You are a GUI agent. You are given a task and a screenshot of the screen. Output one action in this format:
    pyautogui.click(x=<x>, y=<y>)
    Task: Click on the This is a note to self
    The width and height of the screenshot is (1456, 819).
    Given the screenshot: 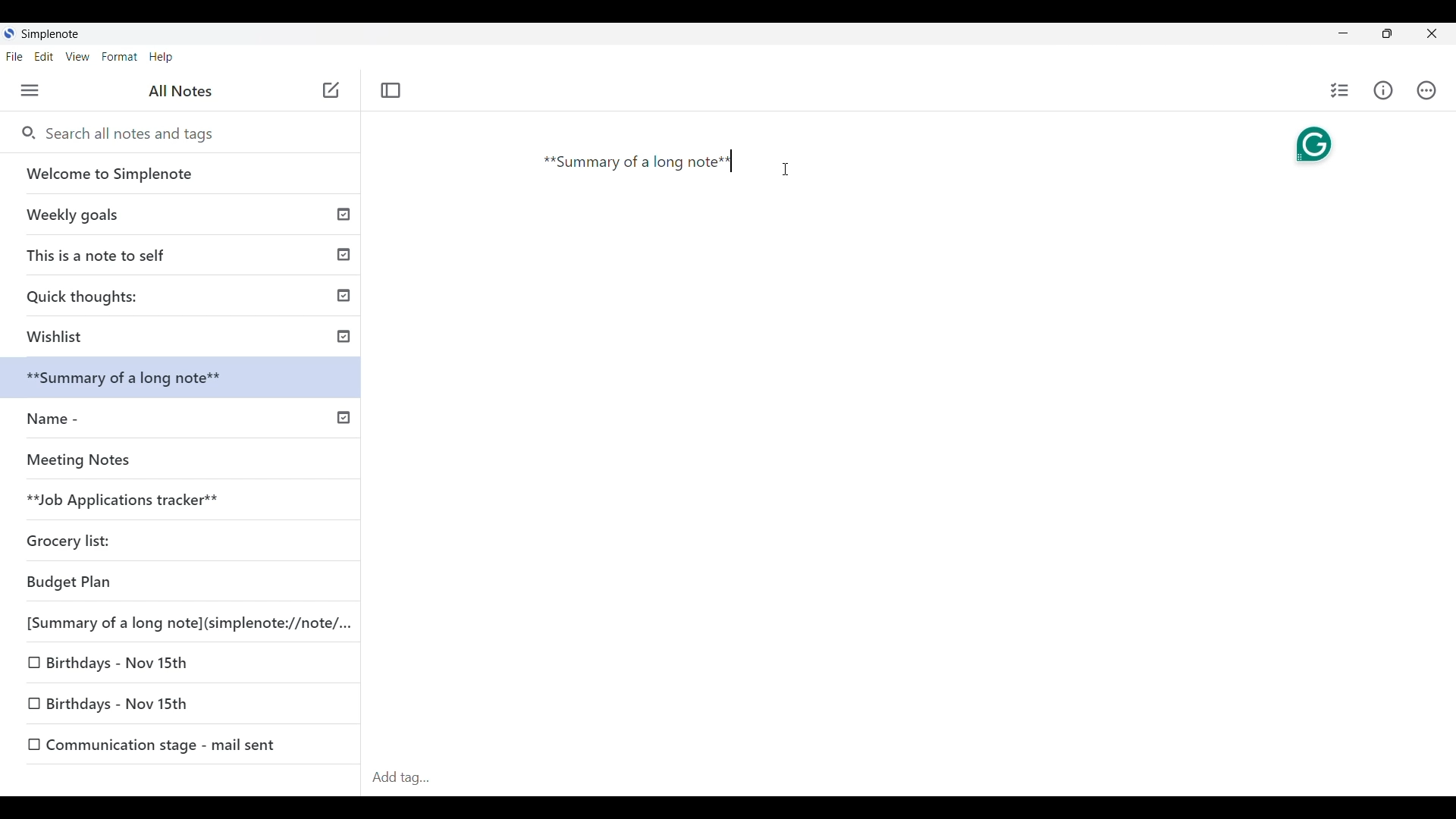 What is the action you would take?
    pyautogui.click(x=184, y=252)
    